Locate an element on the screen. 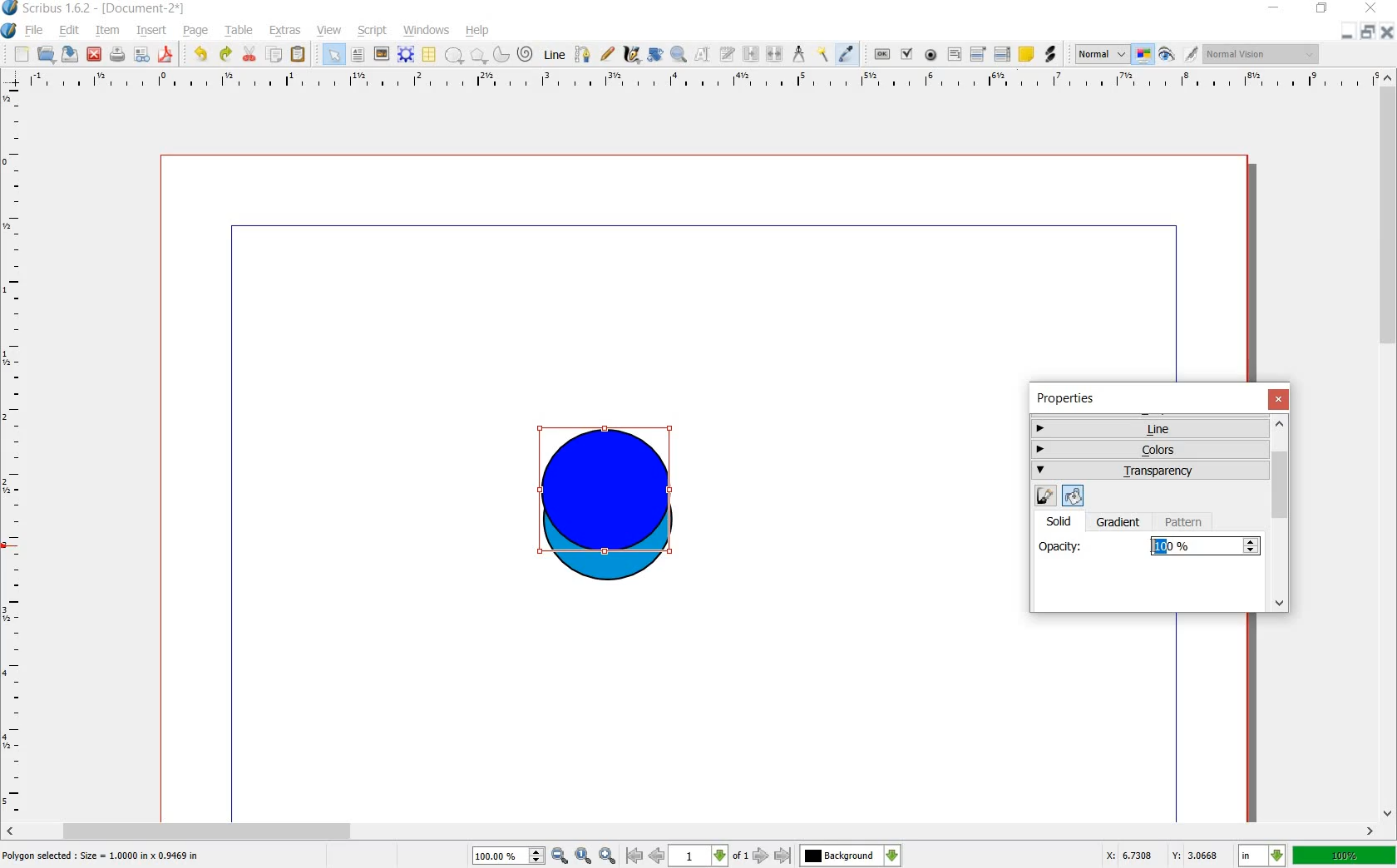 This screenshot has height=868, width=1397. scrollbar is located at coordinates (1281, 515).